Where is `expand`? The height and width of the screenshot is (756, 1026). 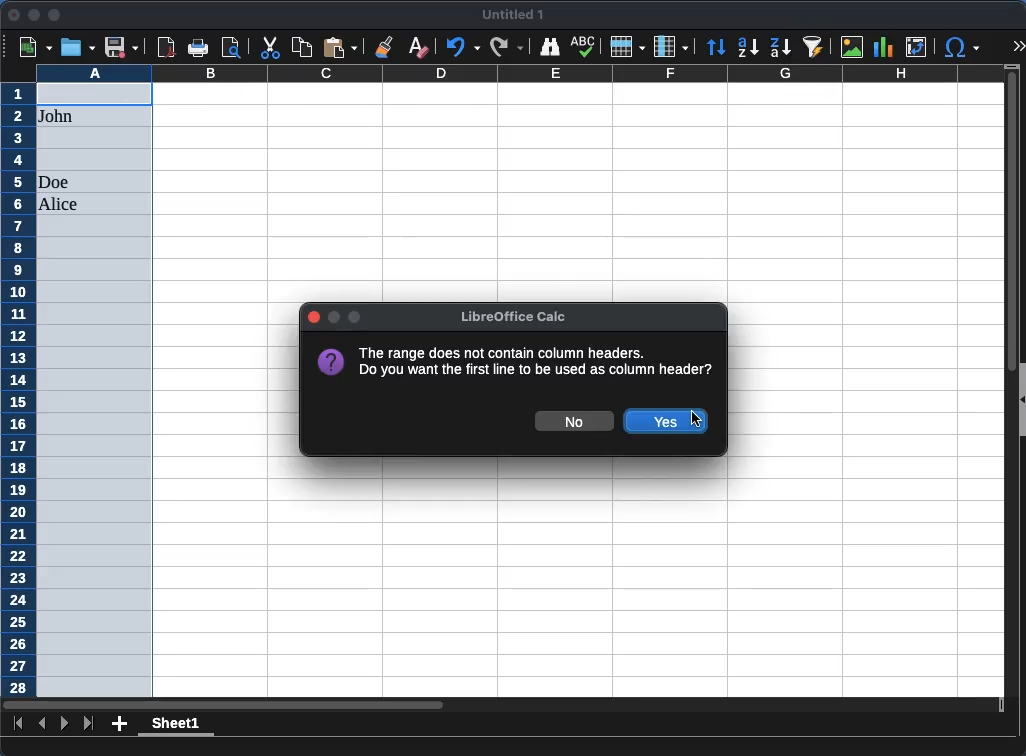 expand is located at coordinates (1017, 45).